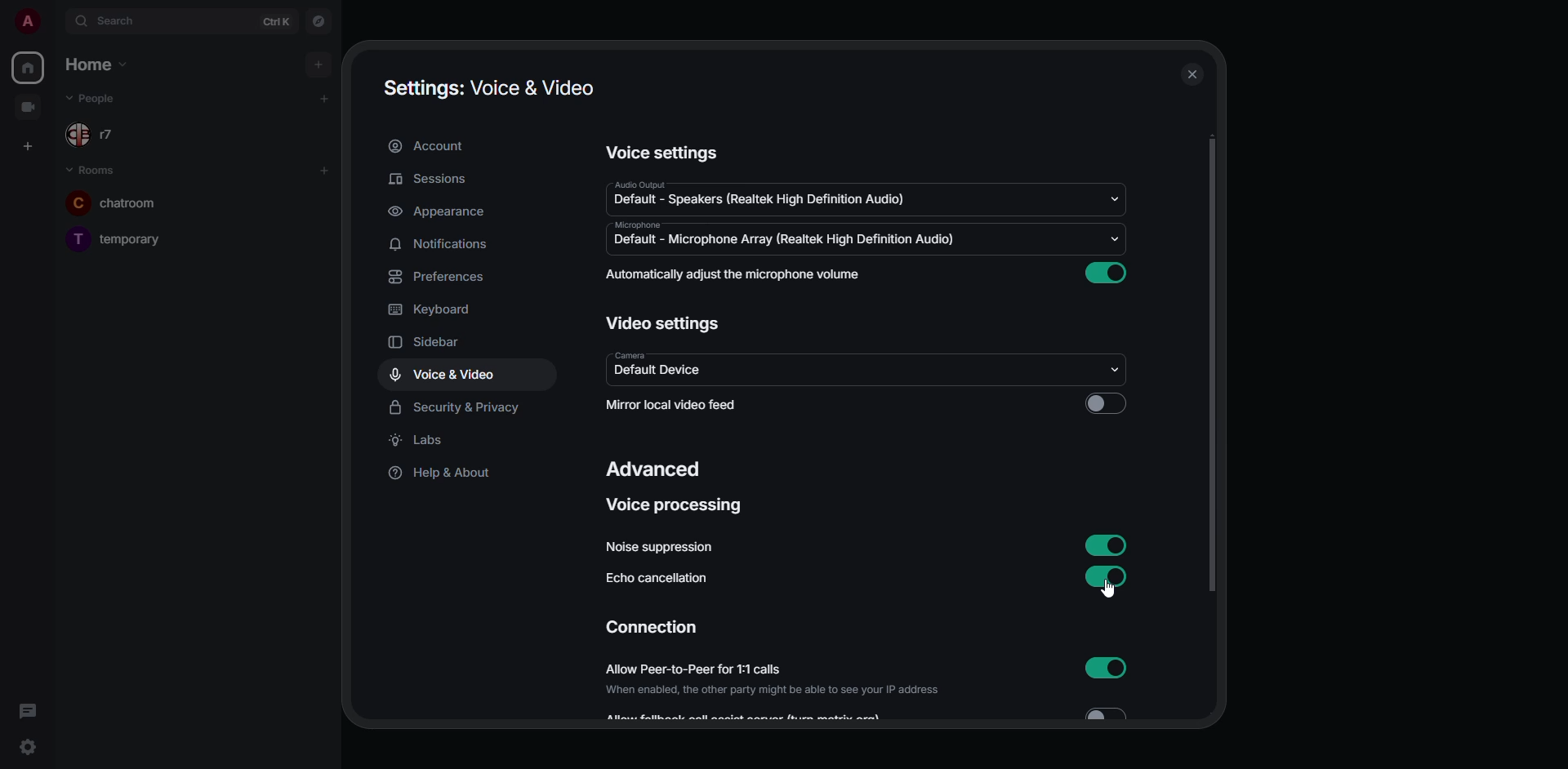  What do you see at coordinates (668, 324) in the screenshot?
I see `video settings` at bounding box center [668, 324].